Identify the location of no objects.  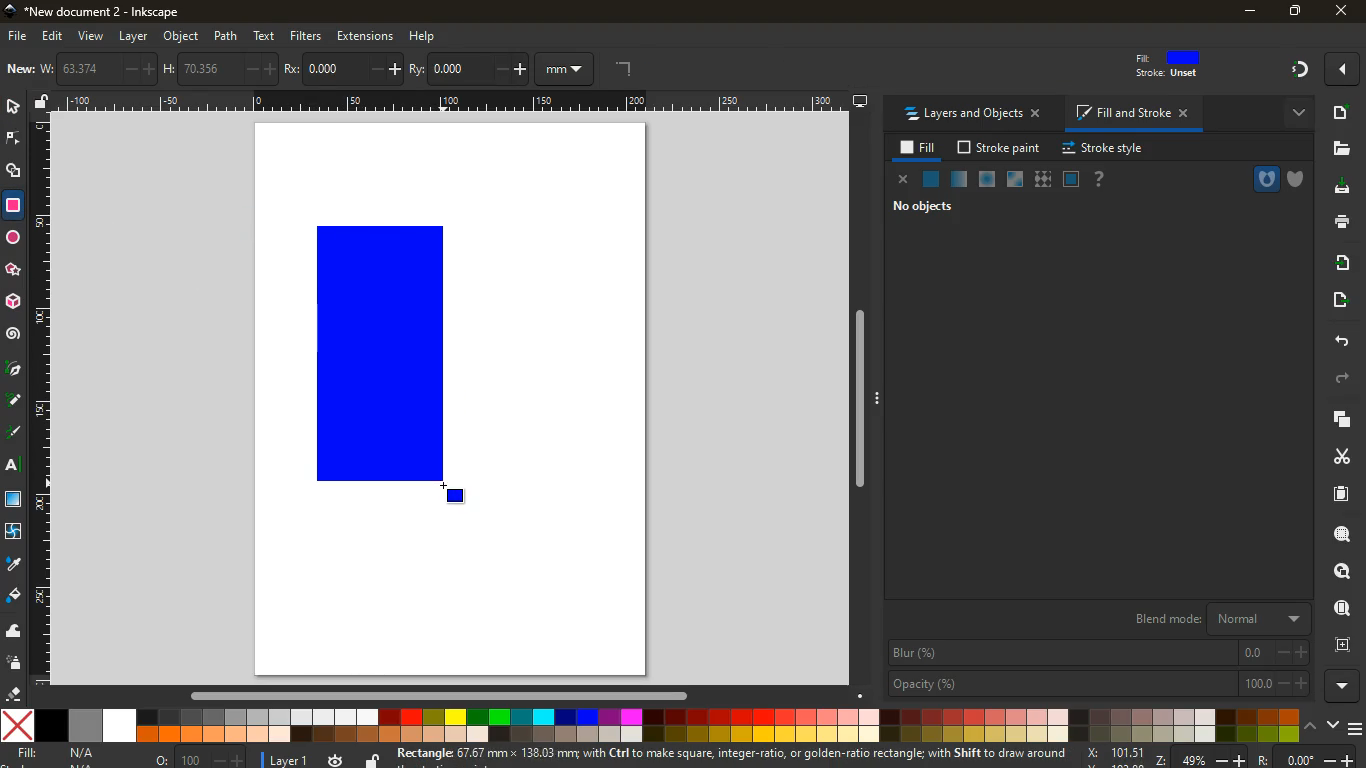
(931, 208).